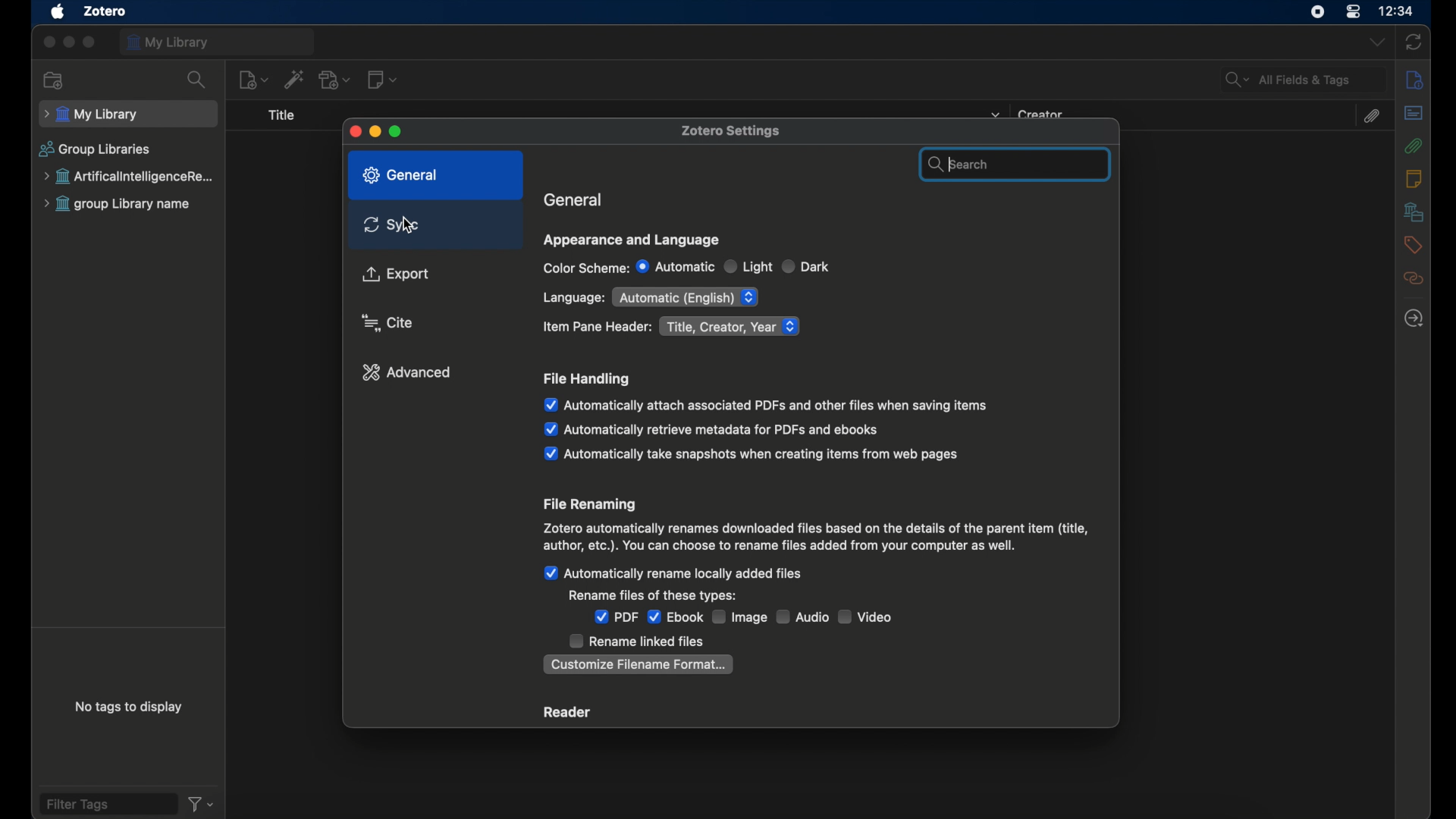 The image size is (1456, 819). Describe the element at coordinates (674, 617) in the screenshot. I see `ebook checkbox` at that location.